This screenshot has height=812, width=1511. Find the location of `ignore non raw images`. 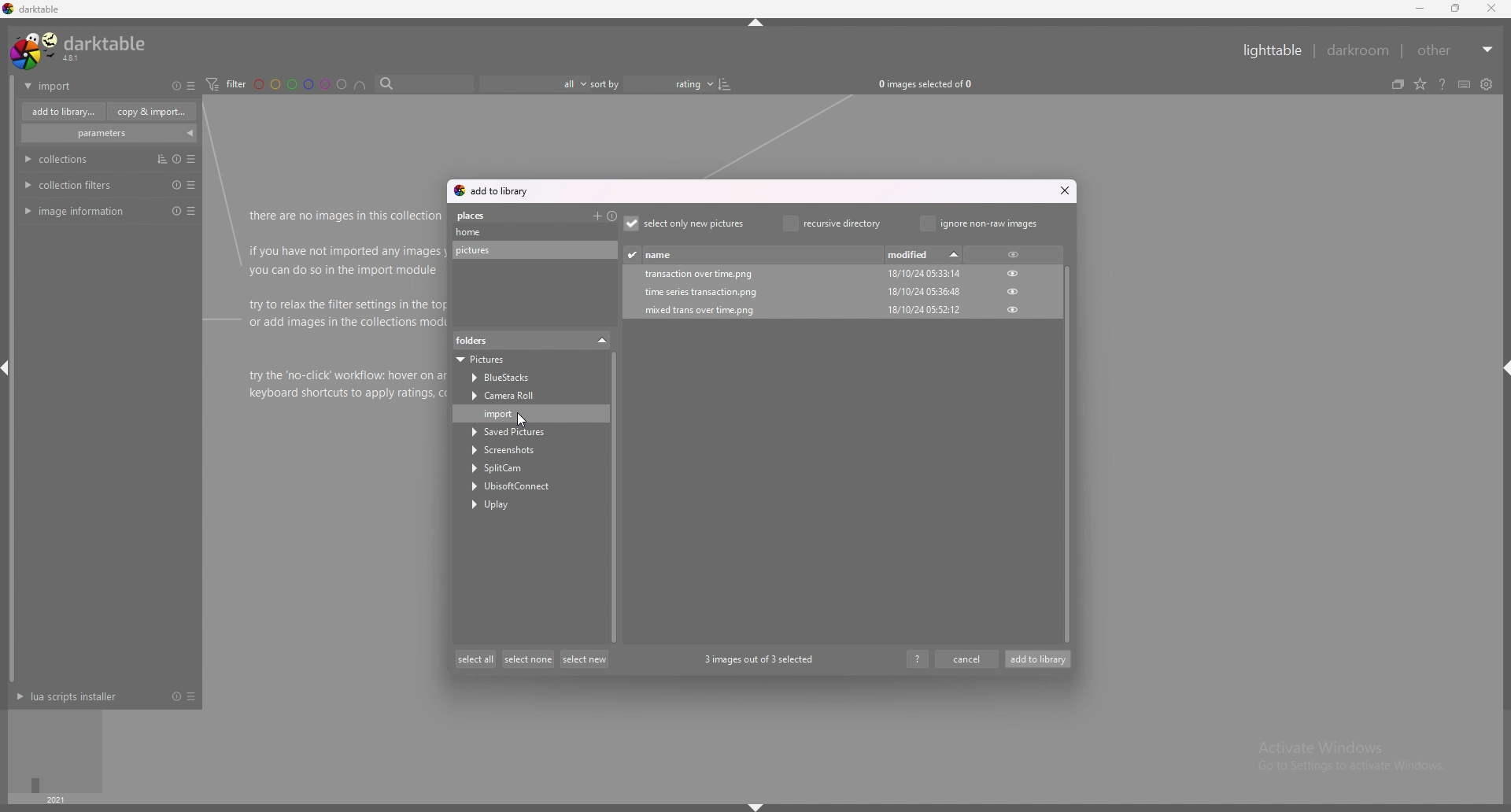

ignore non raw images is located at coordinates (980, 224).